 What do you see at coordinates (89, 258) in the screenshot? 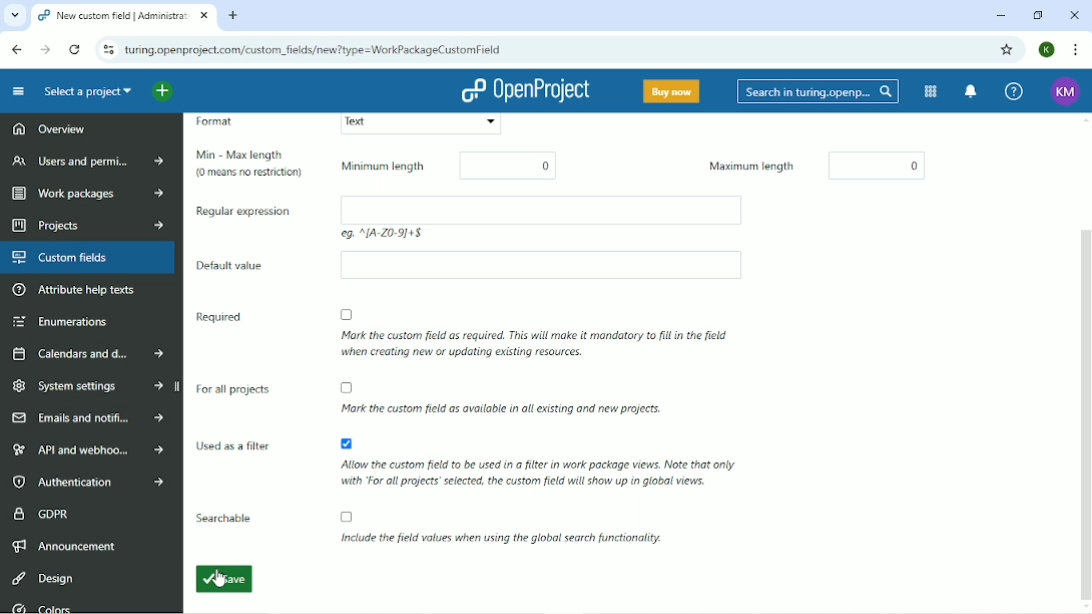
I see `Custom fields` at bounding box center [89, 258].